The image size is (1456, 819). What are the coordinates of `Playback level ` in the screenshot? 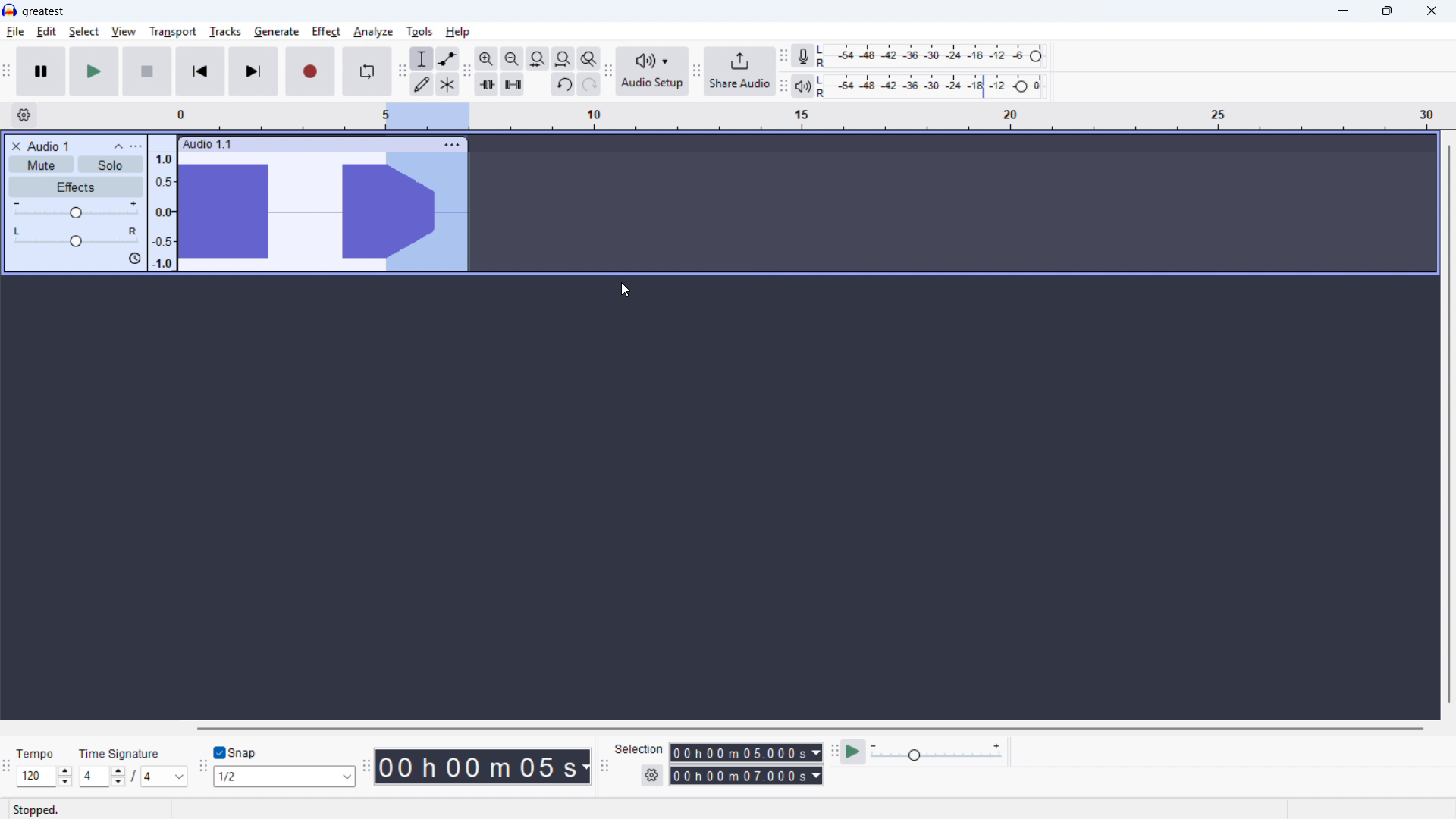 It's located at (935, 86).